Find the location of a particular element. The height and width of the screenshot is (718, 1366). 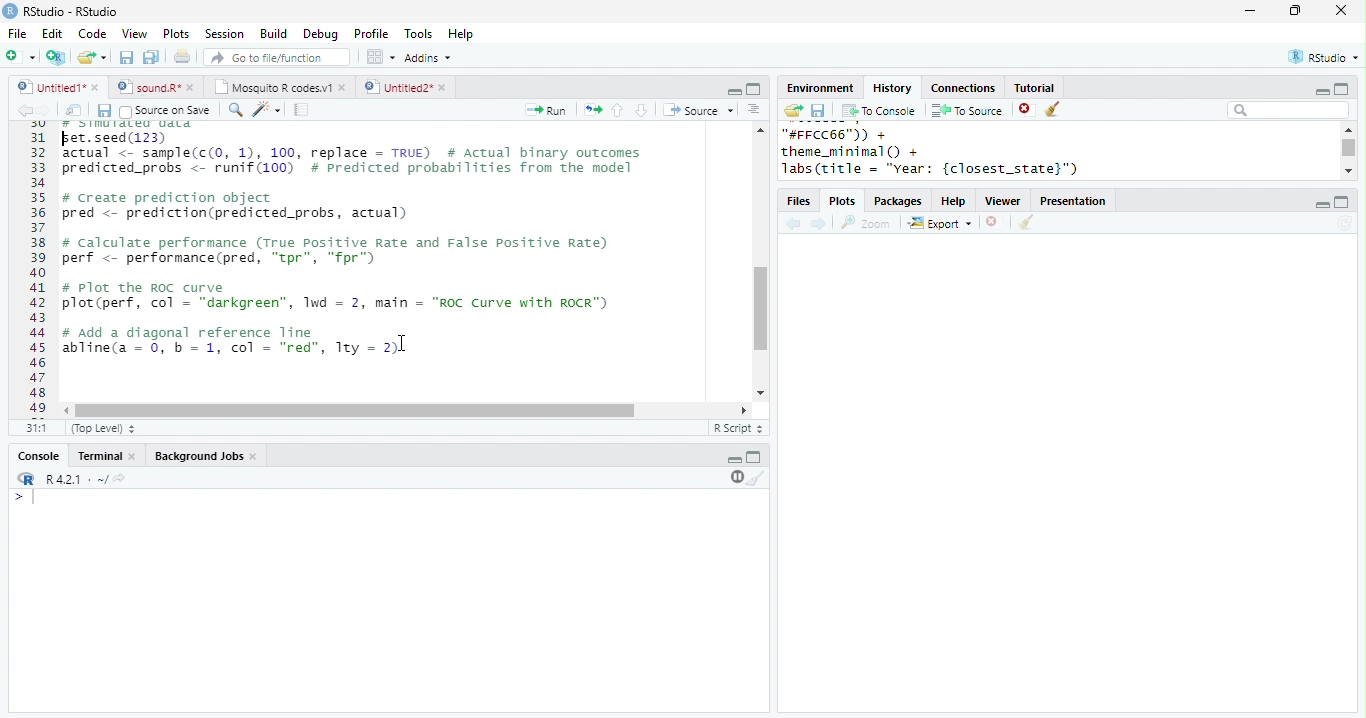

Untitled 1 is located at coordinates (48, 86).